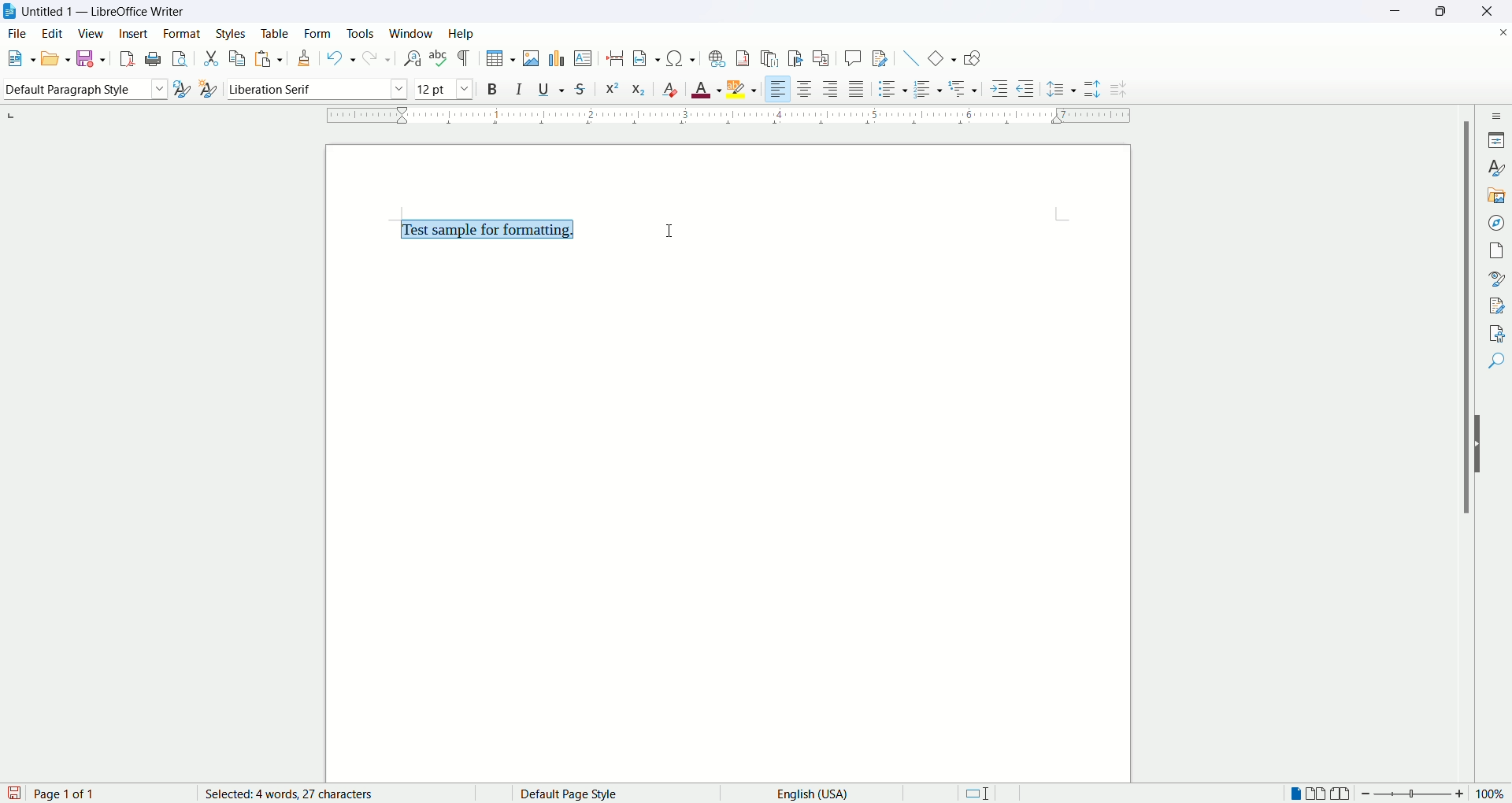  I want to click on italics, so click(520, 90).